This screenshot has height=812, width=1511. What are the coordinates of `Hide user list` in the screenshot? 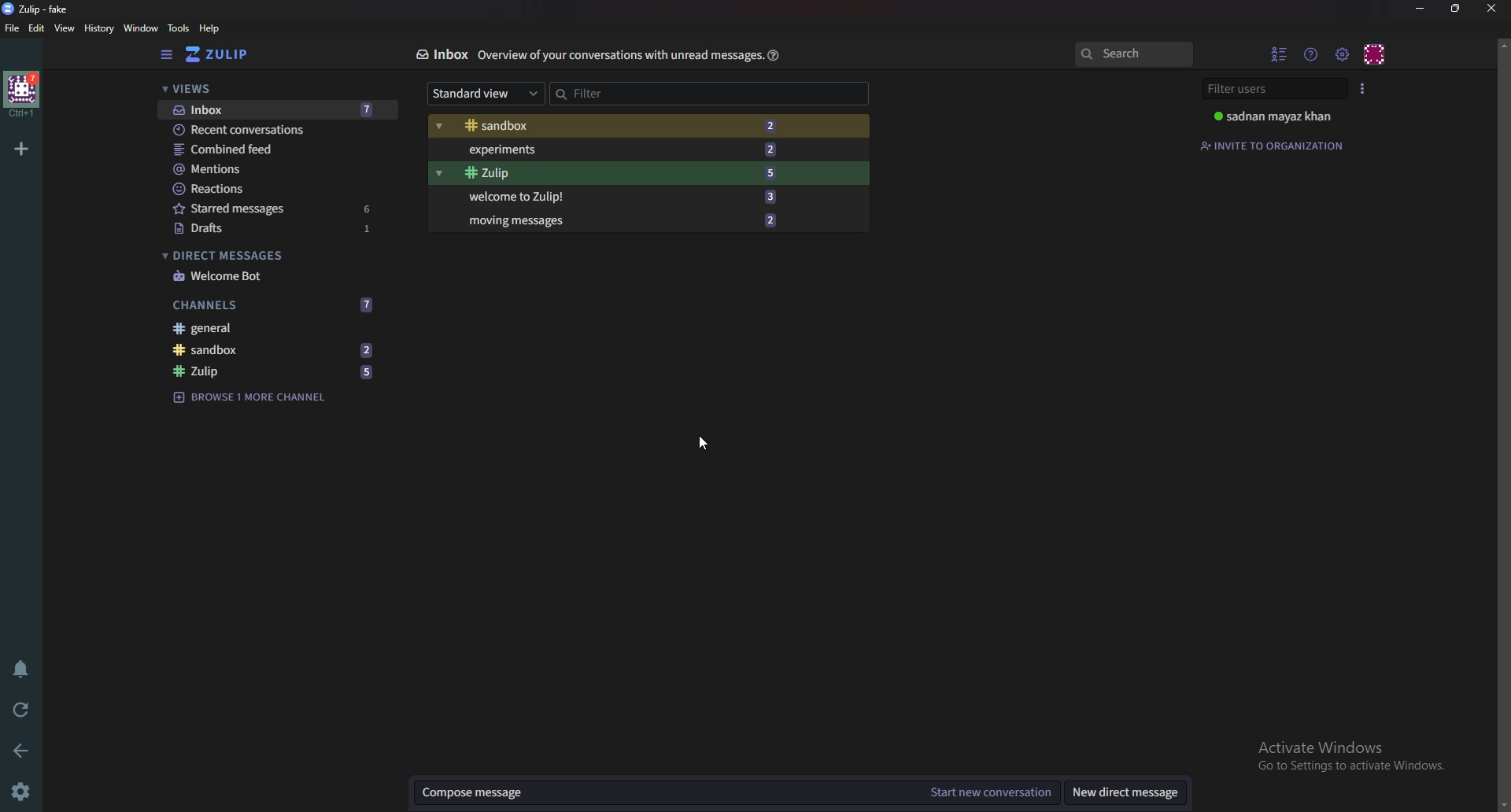 It's located at (1278, 52).